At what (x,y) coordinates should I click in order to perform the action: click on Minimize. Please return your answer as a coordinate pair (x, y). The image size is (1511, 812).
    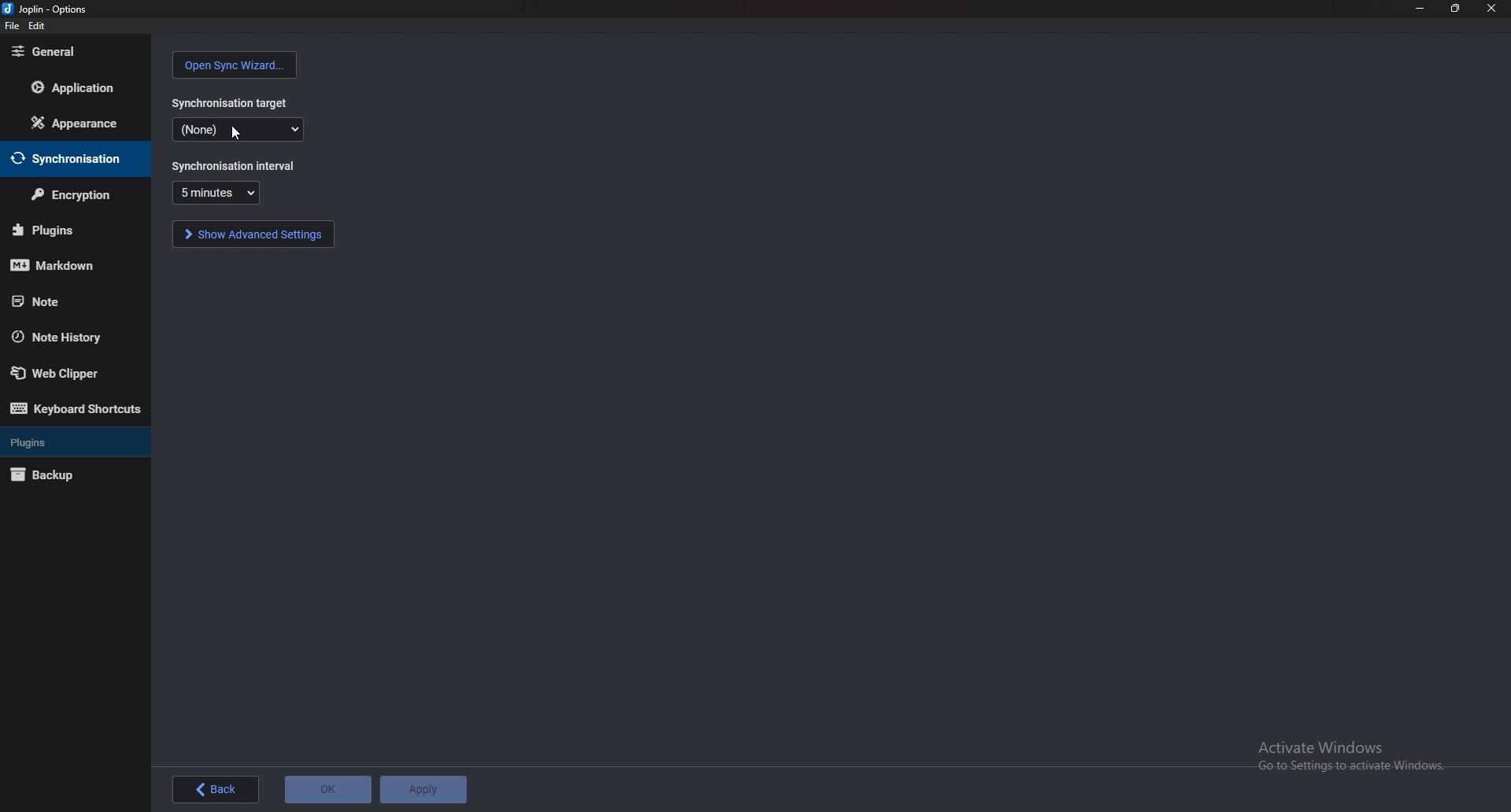
    Looking at the image, I should click on (1420, 9).